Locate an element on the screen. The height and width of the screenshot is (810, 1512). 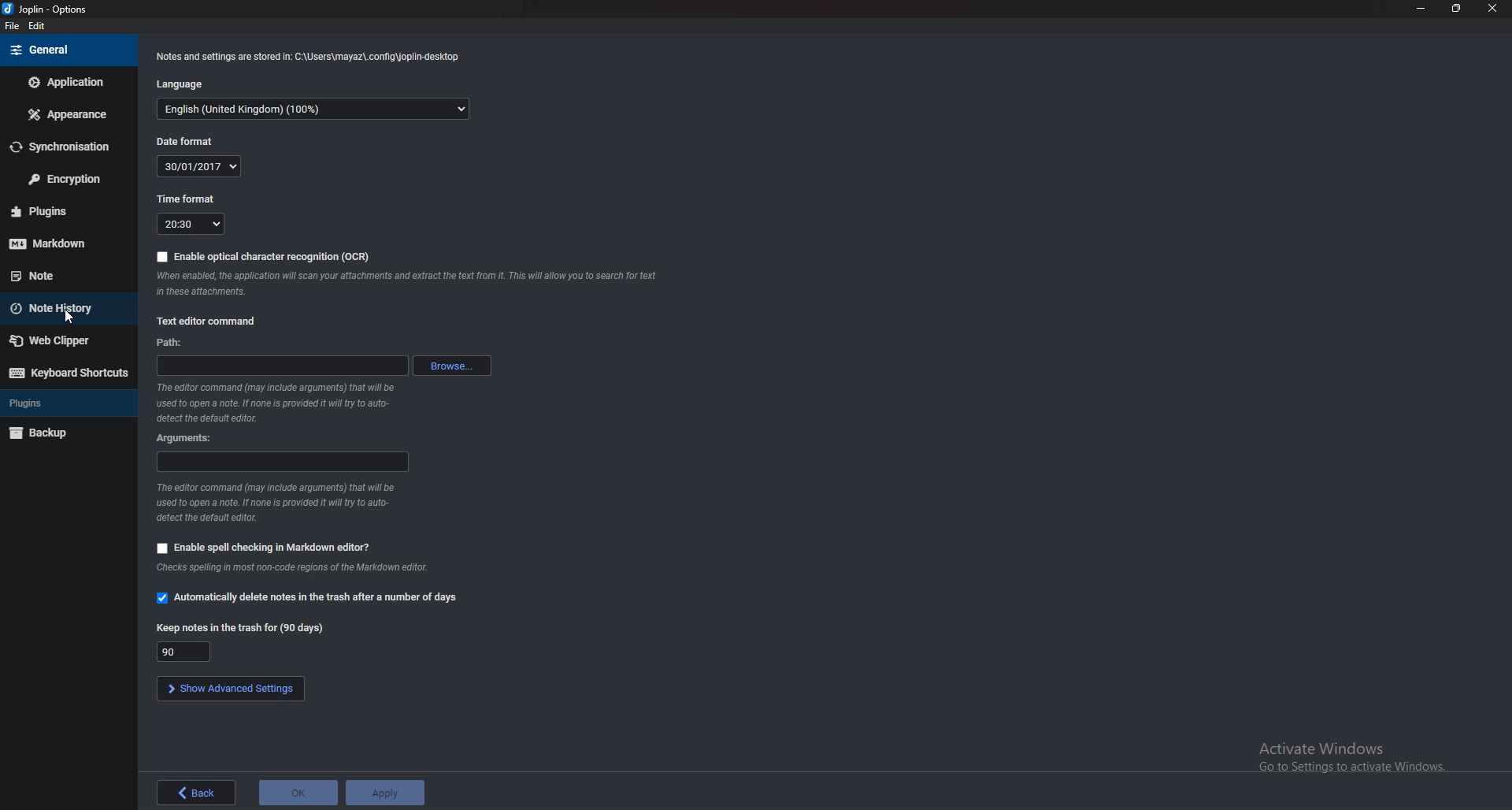
edit is located at coordinates (39, 26).